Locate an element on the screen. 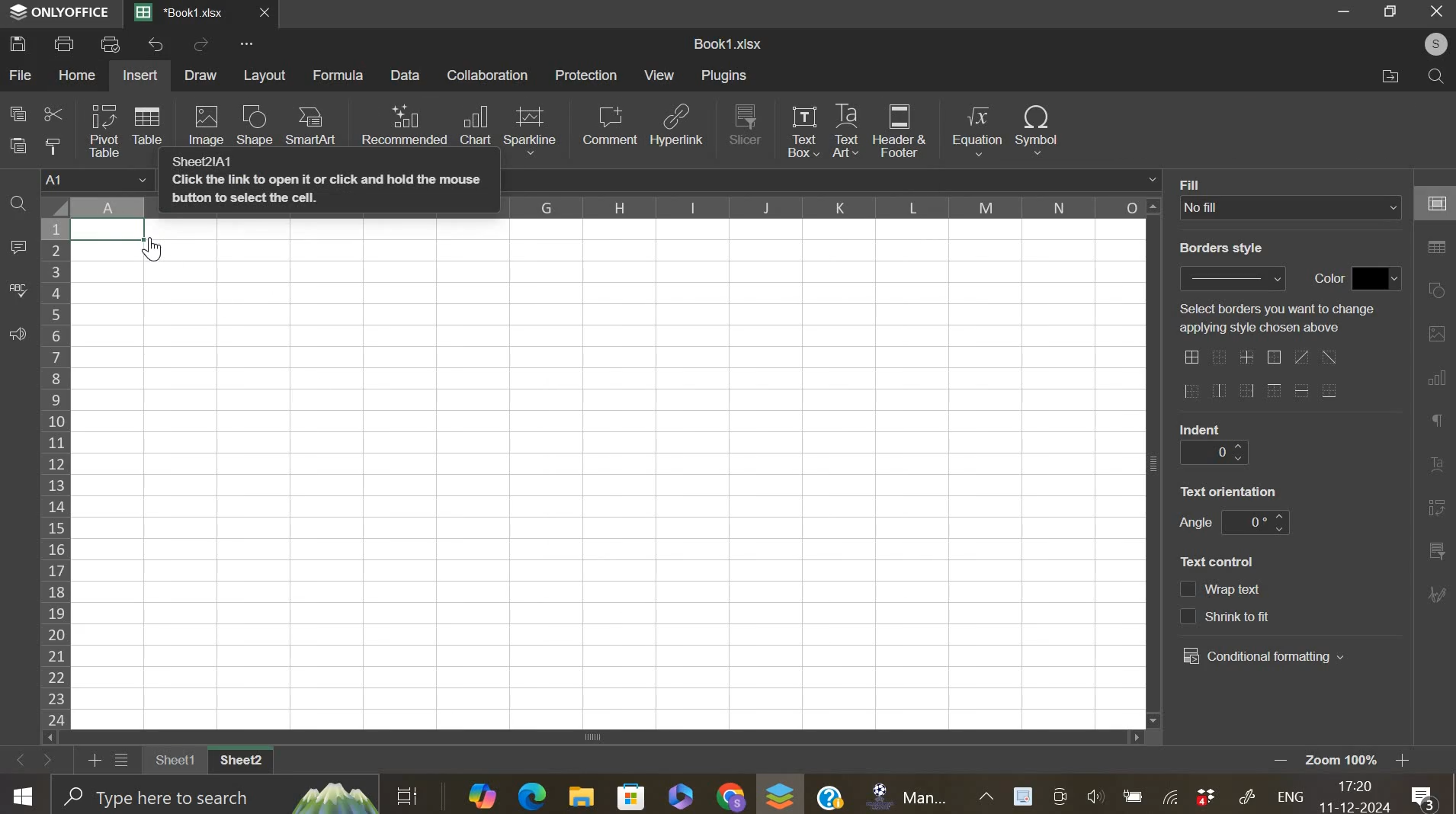 This screenshot has width=1456, height=814. conditional formatting is located at coordinates (1264, 657).